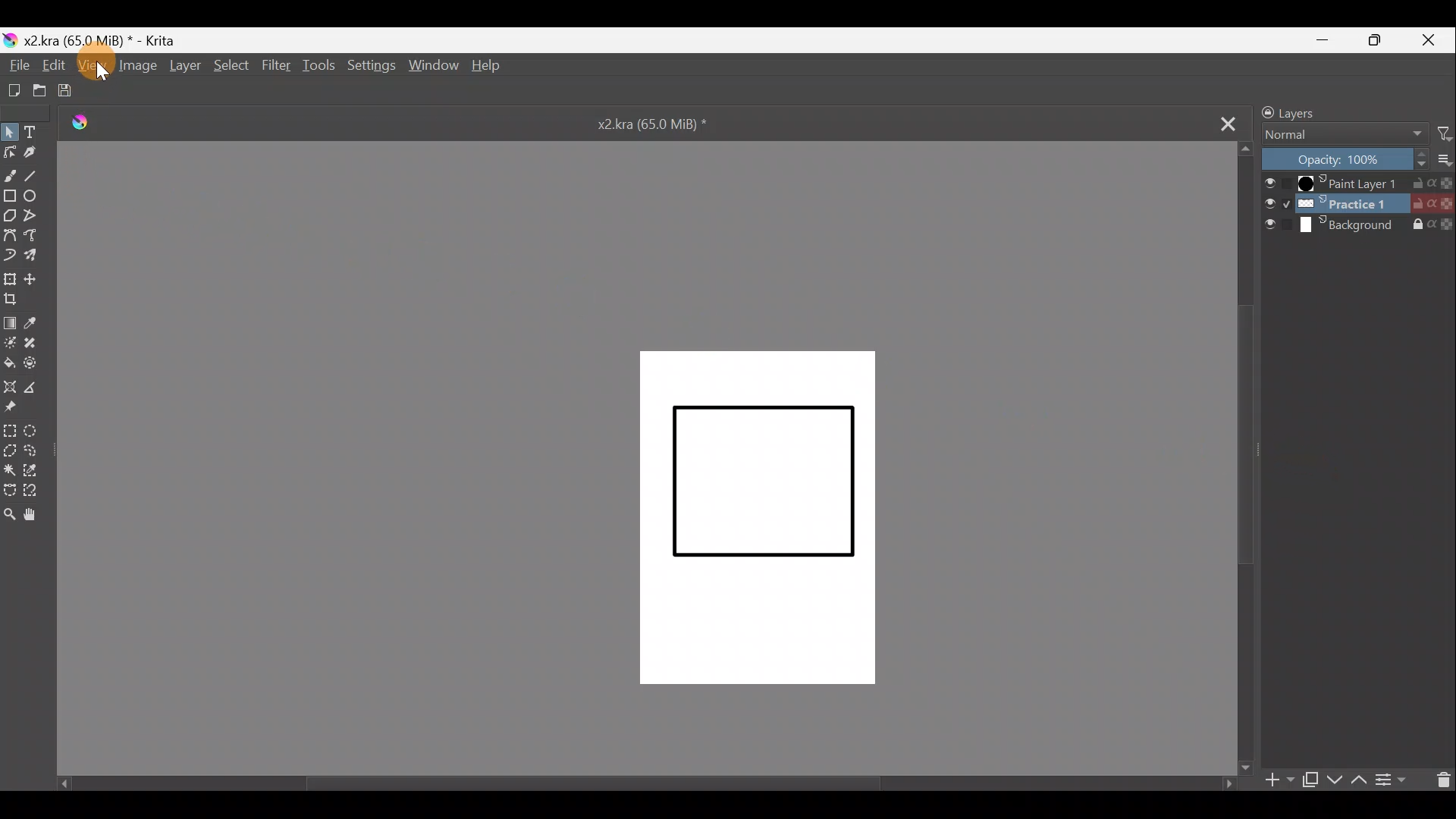 Image resolution: width=1456 pixels, height=819 pixels. What do you see at coordinates (10, 233) in the screenshot?
I see `Bezier curve tool` at bounding box center [10, 233].